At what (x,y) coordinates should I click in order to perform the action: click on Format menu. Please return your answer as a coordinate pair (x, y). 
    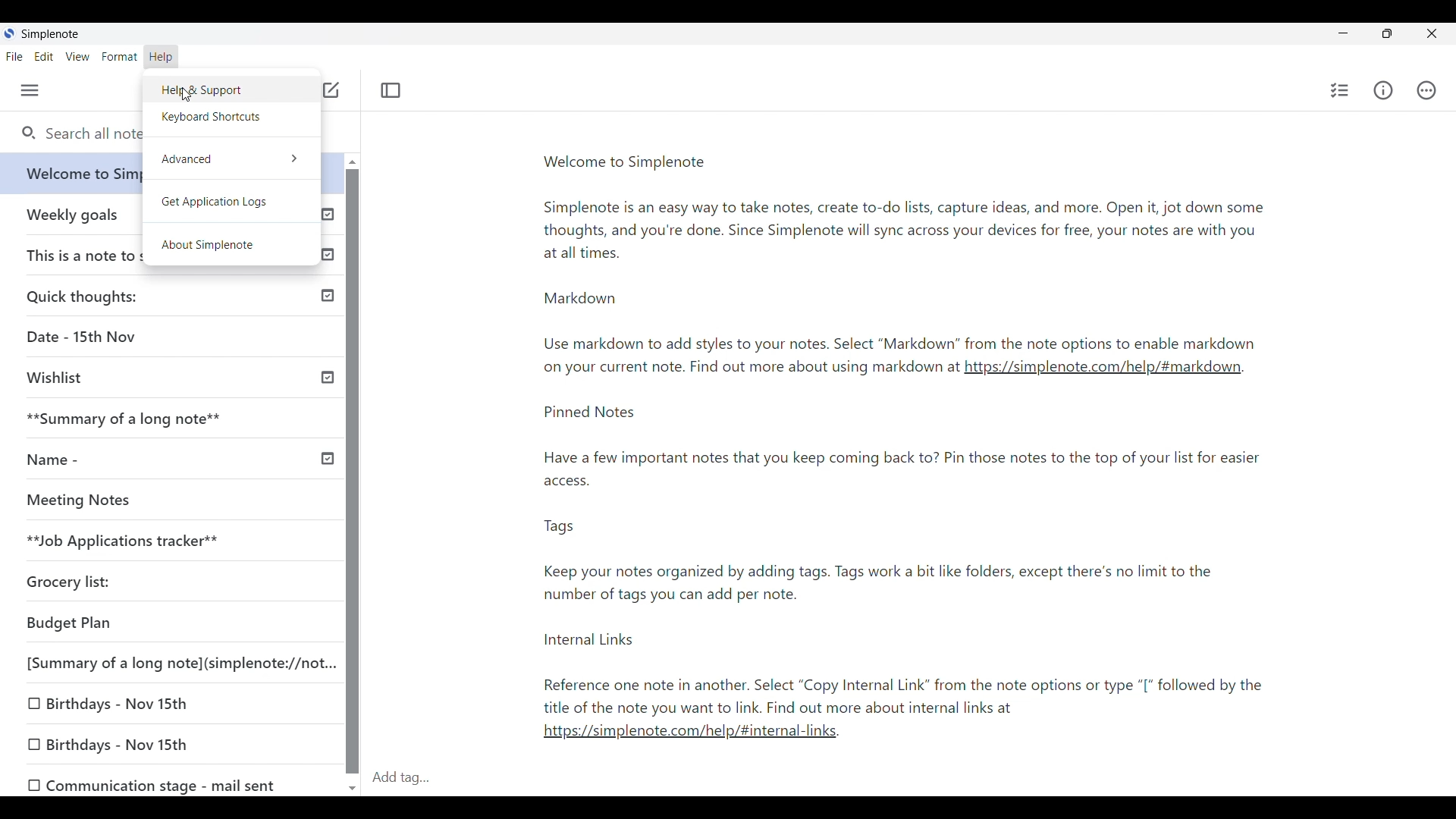
    Looking at the image, I should click on (121, 57).